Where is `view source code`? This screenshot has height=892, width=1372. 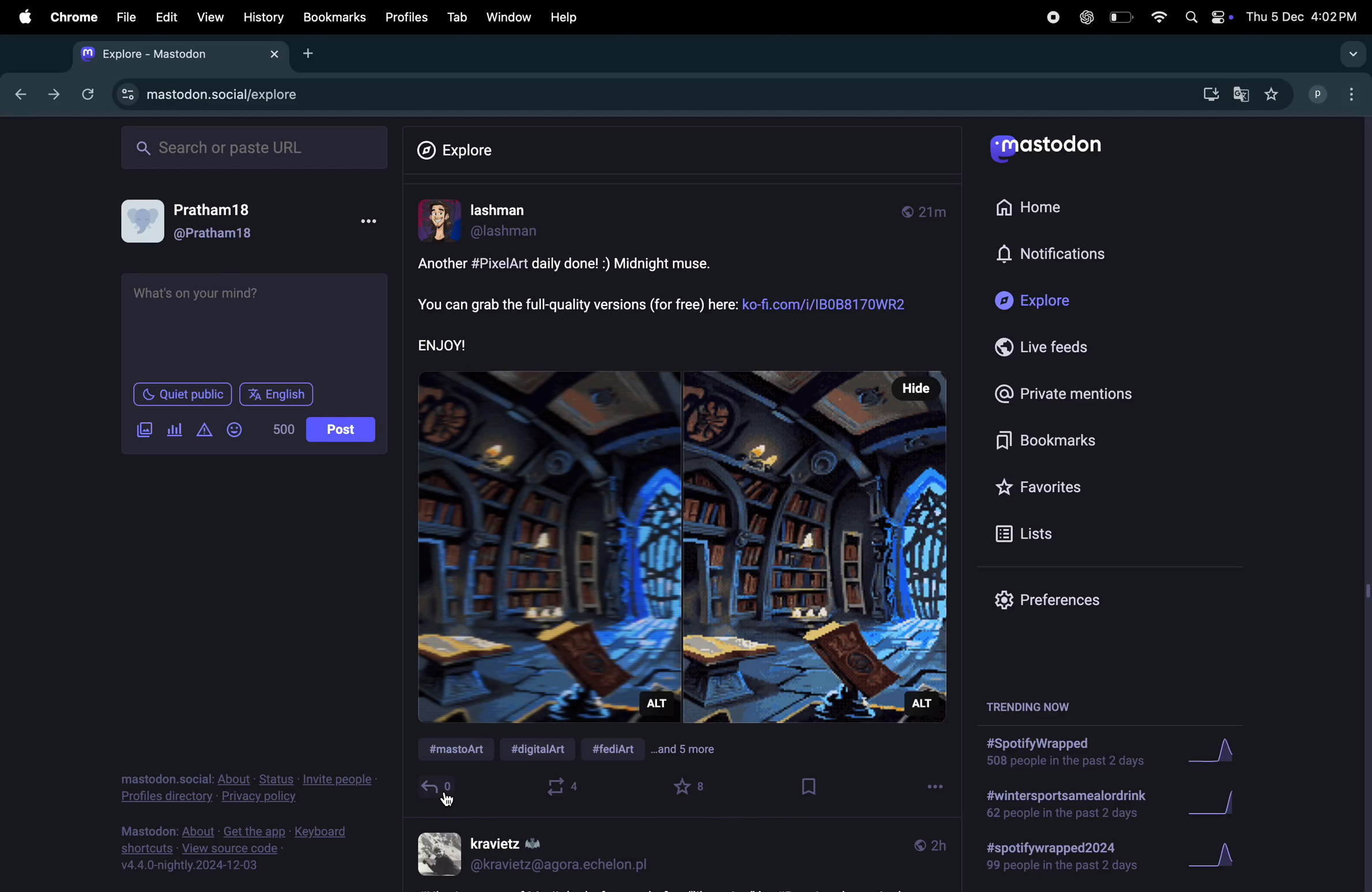 view source code is located at coordinates (242, 850).